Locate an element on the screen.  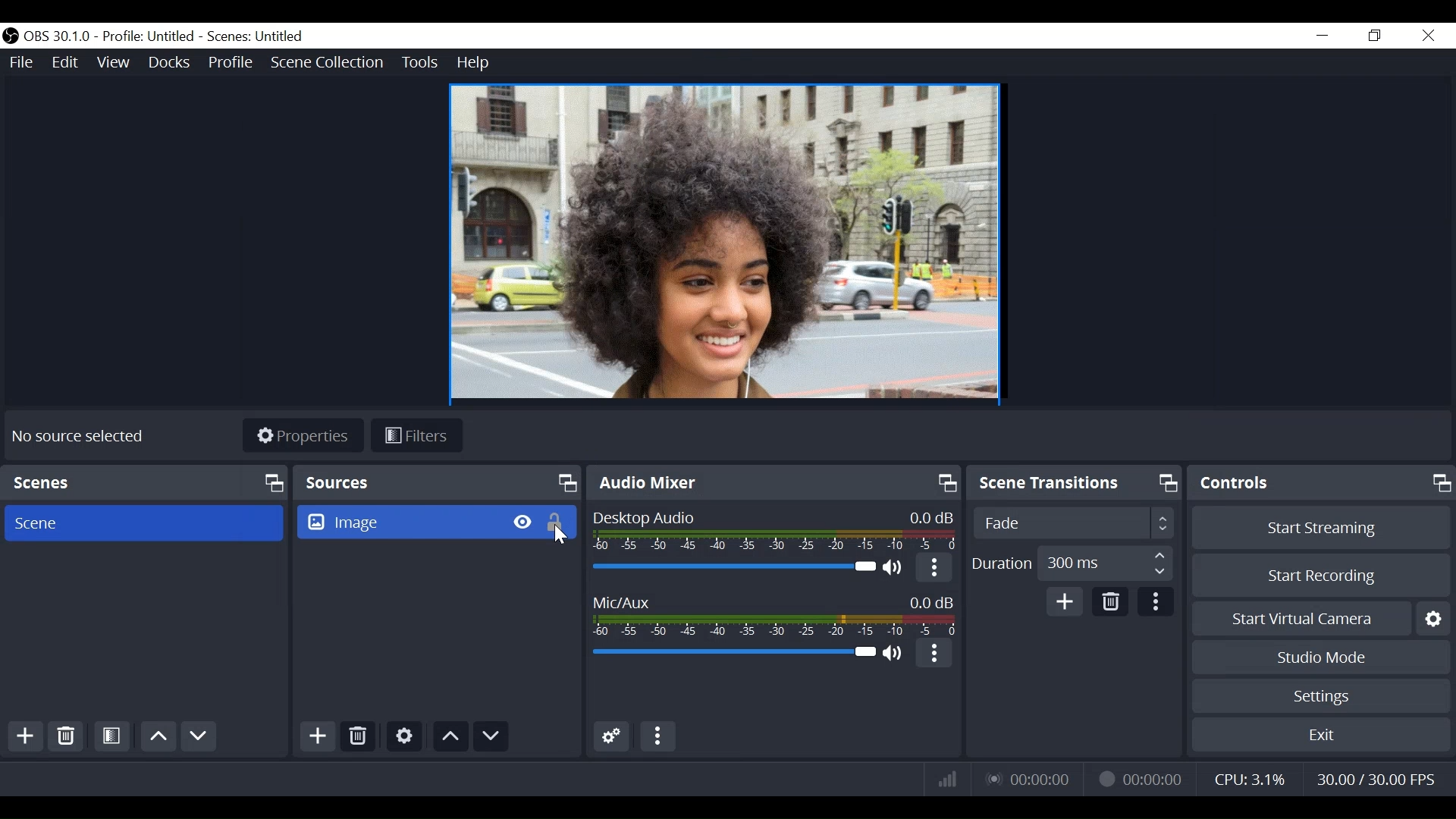
Studio Mode is located at coordinates (1320, 659).